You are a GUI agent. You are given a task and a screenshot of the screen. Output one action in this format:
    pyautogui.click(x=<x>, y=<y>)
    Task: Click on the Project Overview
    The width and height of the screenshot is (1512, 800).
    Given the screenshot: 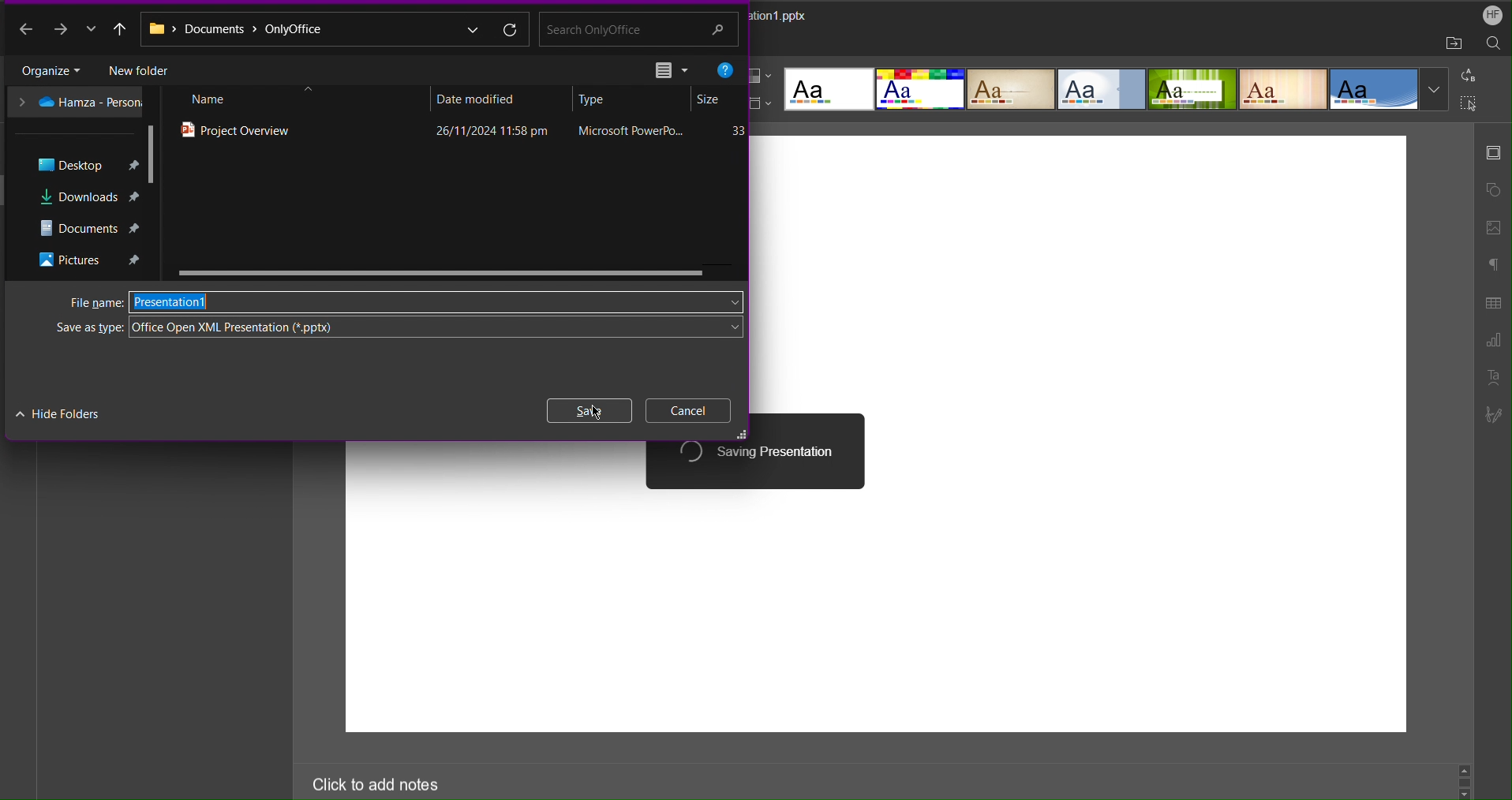 What is the action you would take?
    pyautogui.click(x=460, y=129)
    